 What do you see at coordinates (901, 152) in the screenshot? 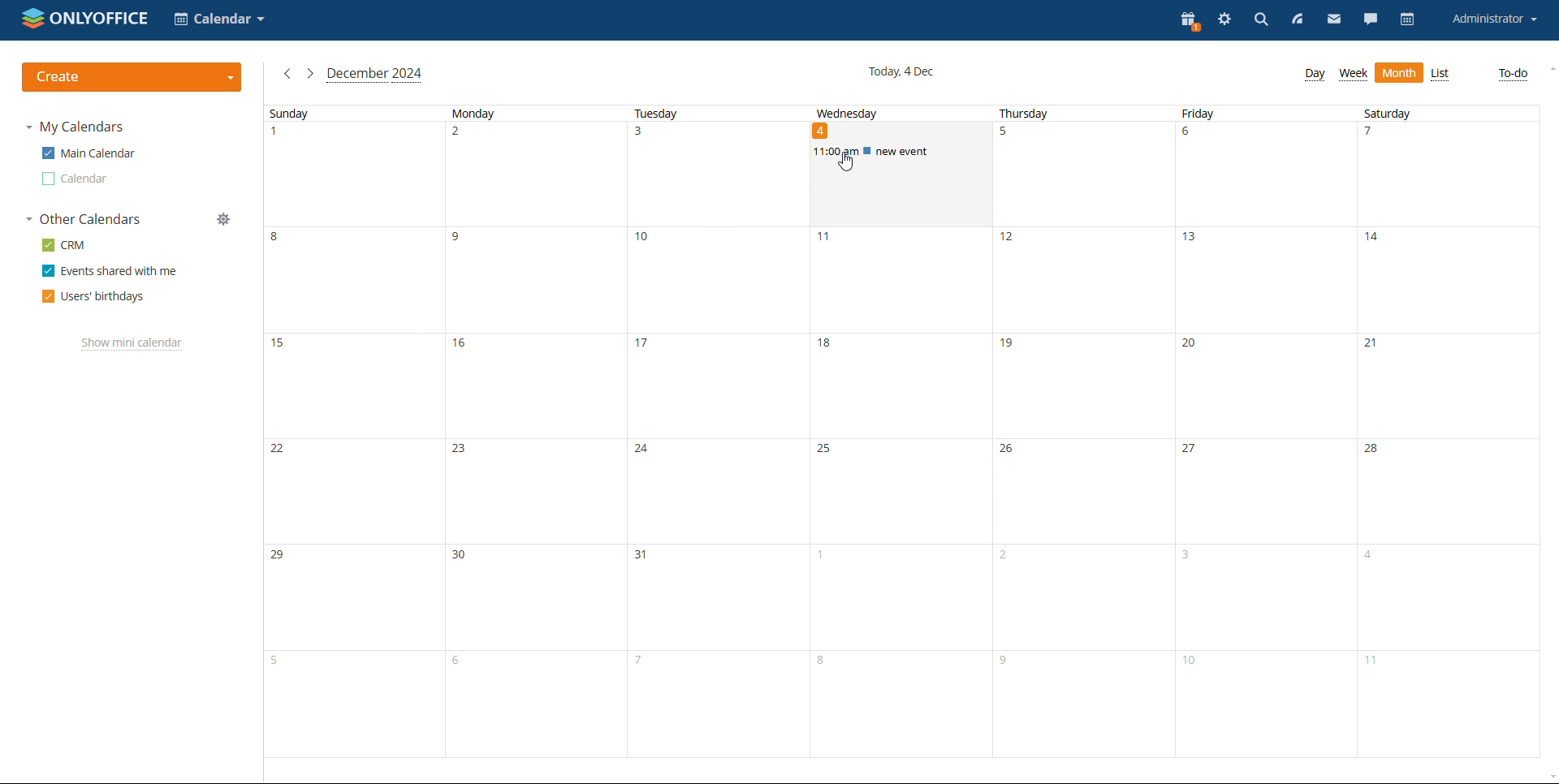
I see `scheduled event` at bounding box center [901, 152].